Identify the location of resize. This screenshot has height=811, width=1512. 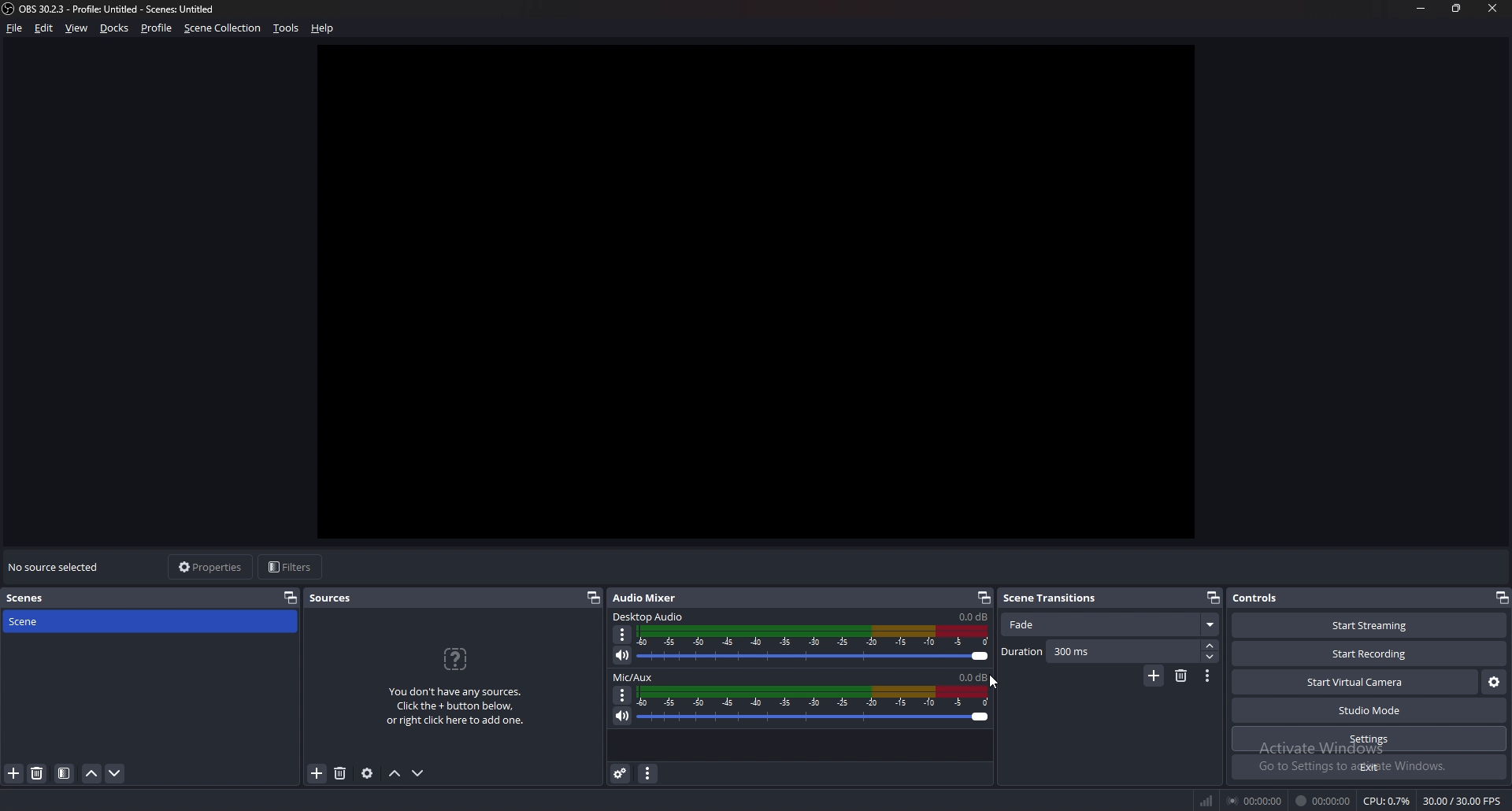
(1457, 7).